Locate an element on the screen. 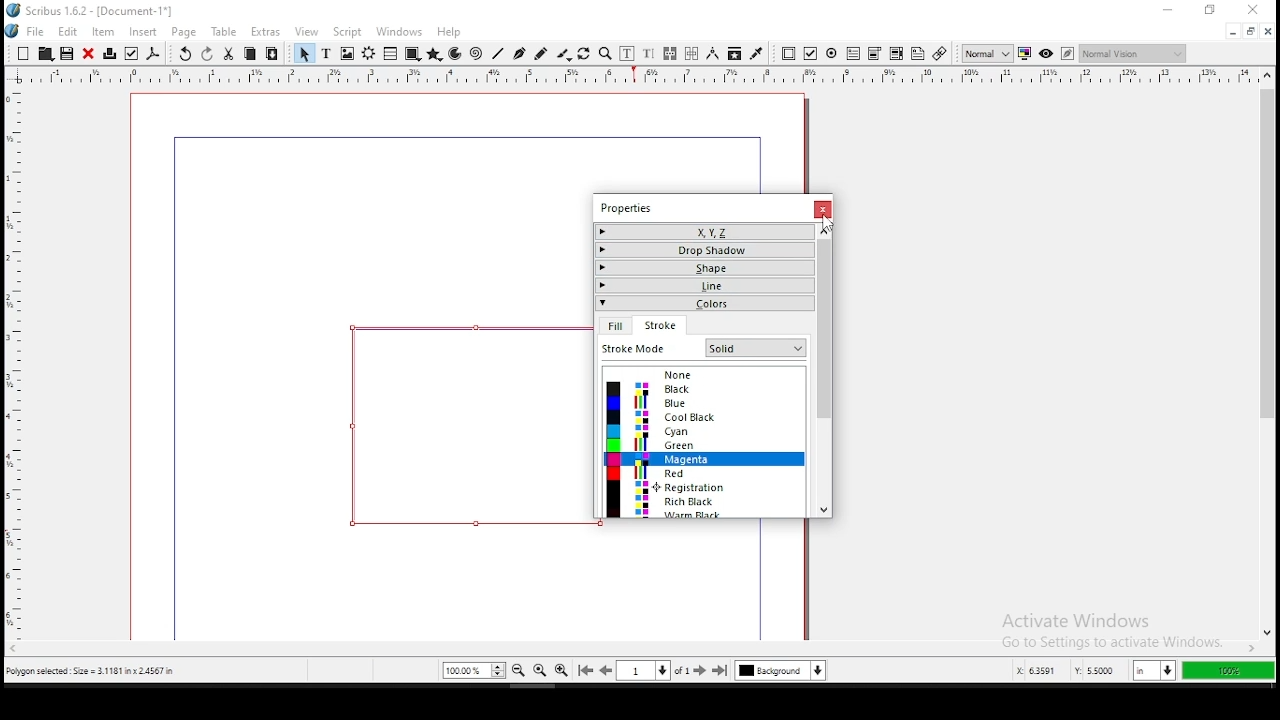 The image size is (1280, 720). preview mode is located at coordinates (1044, 53).